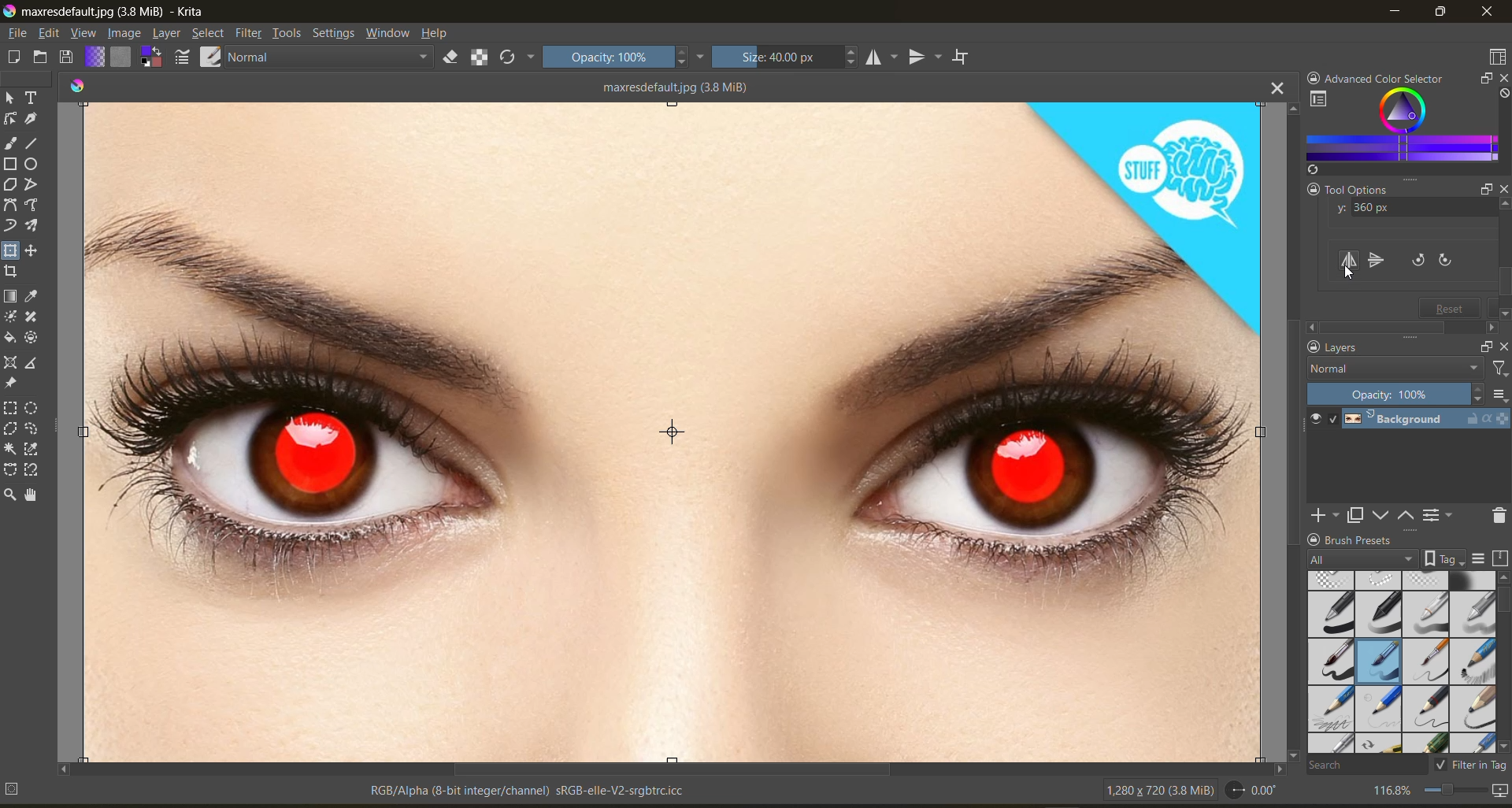 Image resolution: width=1512 pixels, height=808 pixels. I want to click on tool, so click(13, 271).